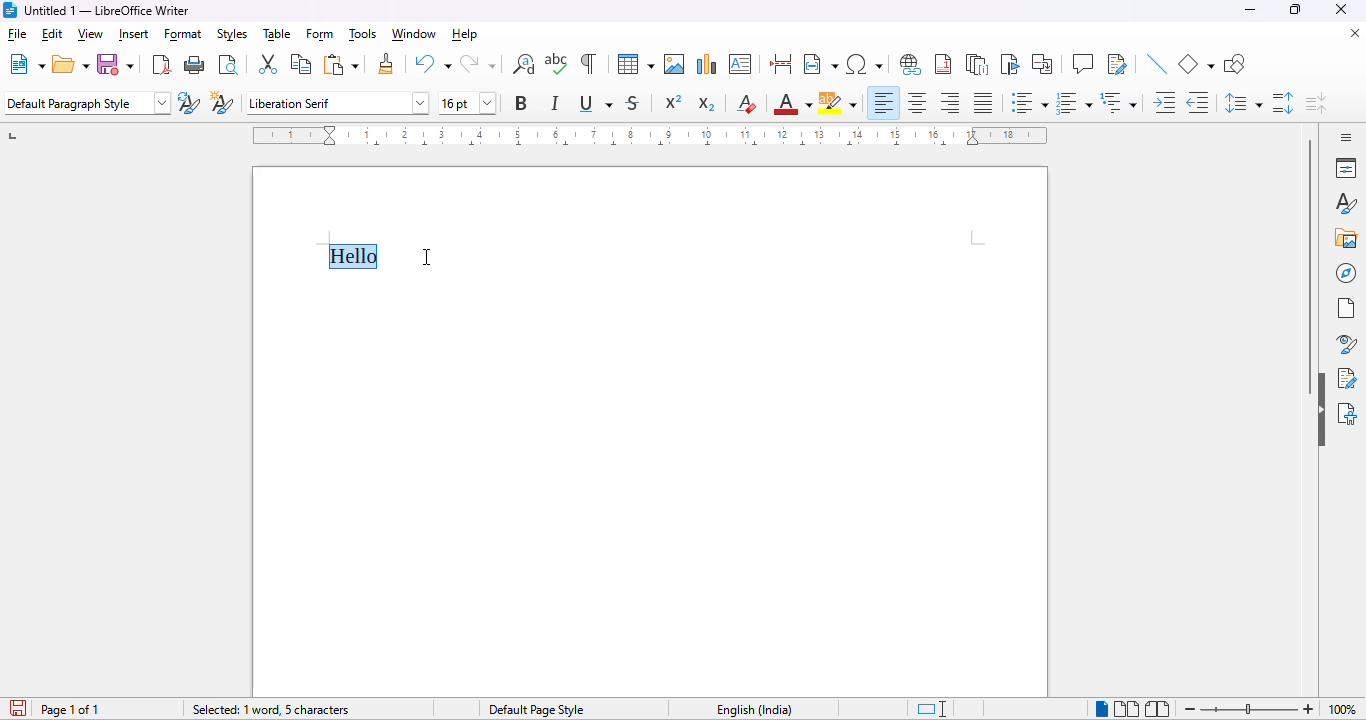 Image resolution: width=1366 pixels, height=720 pixels. What do you see at coordinates (1159, 709) in the screenshot?
I see `book view` at bounding box center [1159, 709].